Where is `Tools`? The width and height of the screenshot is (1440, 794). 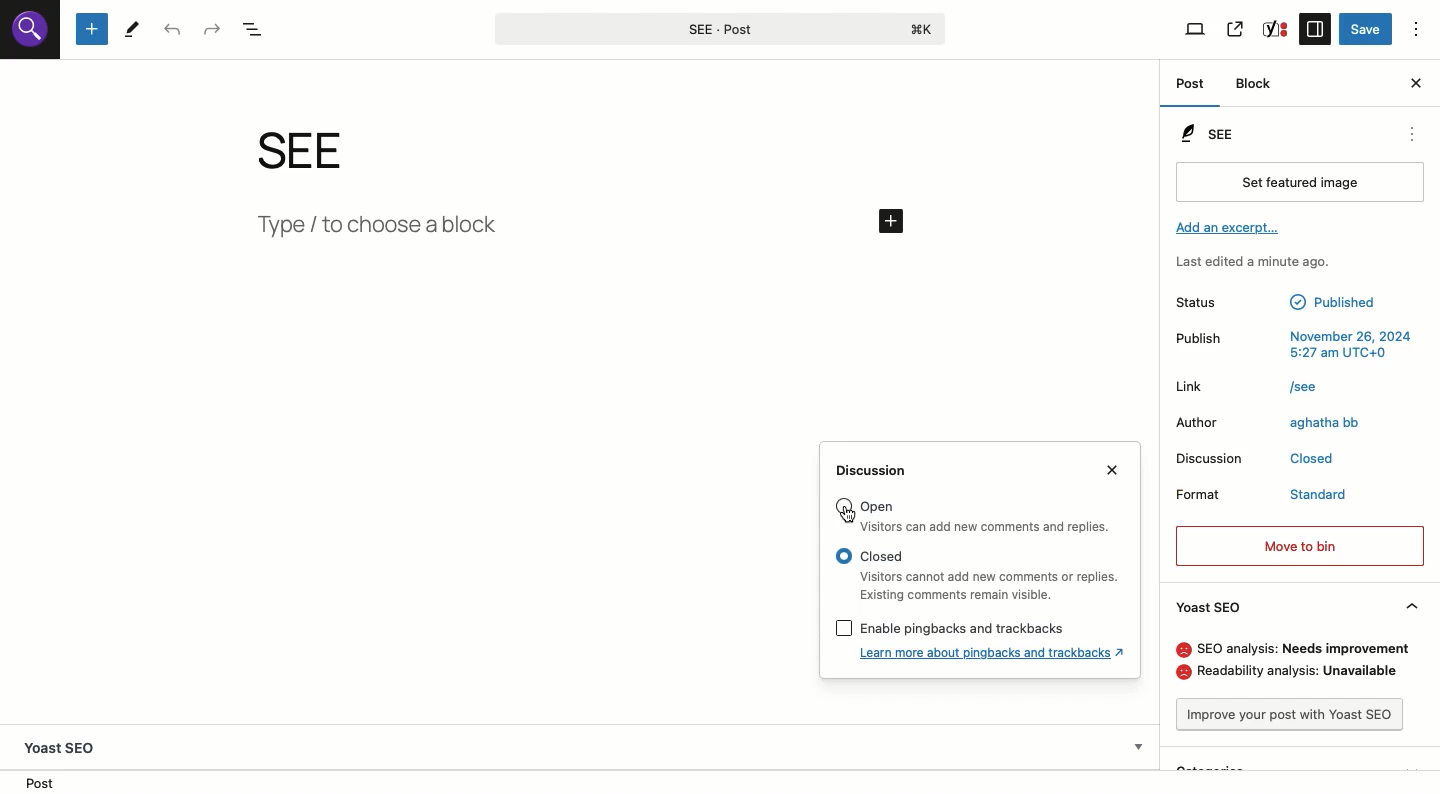
Tools is located at coordinates (133, 30).